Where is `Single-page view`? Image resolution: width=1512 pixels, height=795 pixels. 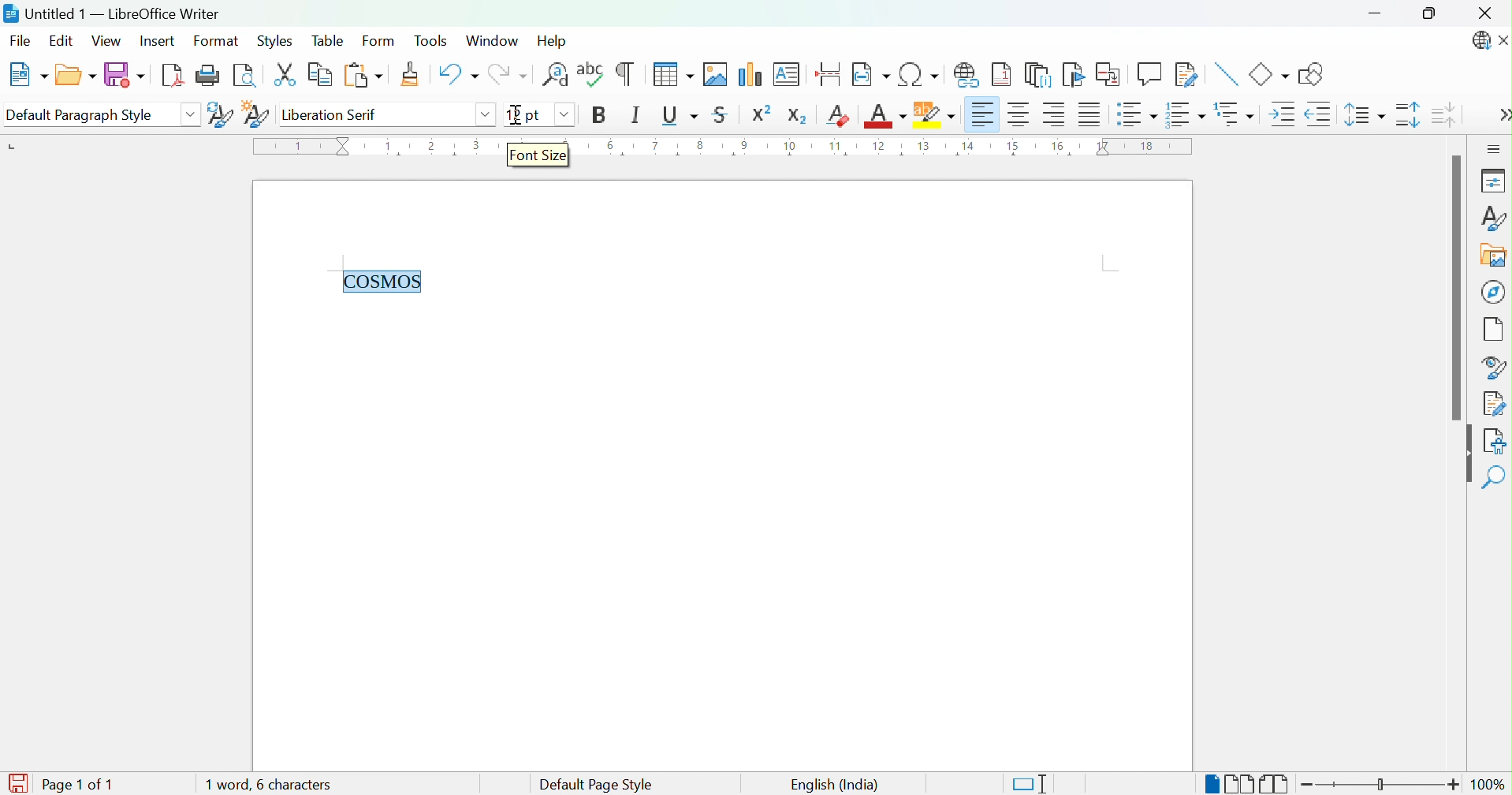 Single-page view is located at coordinates (1211, 786).